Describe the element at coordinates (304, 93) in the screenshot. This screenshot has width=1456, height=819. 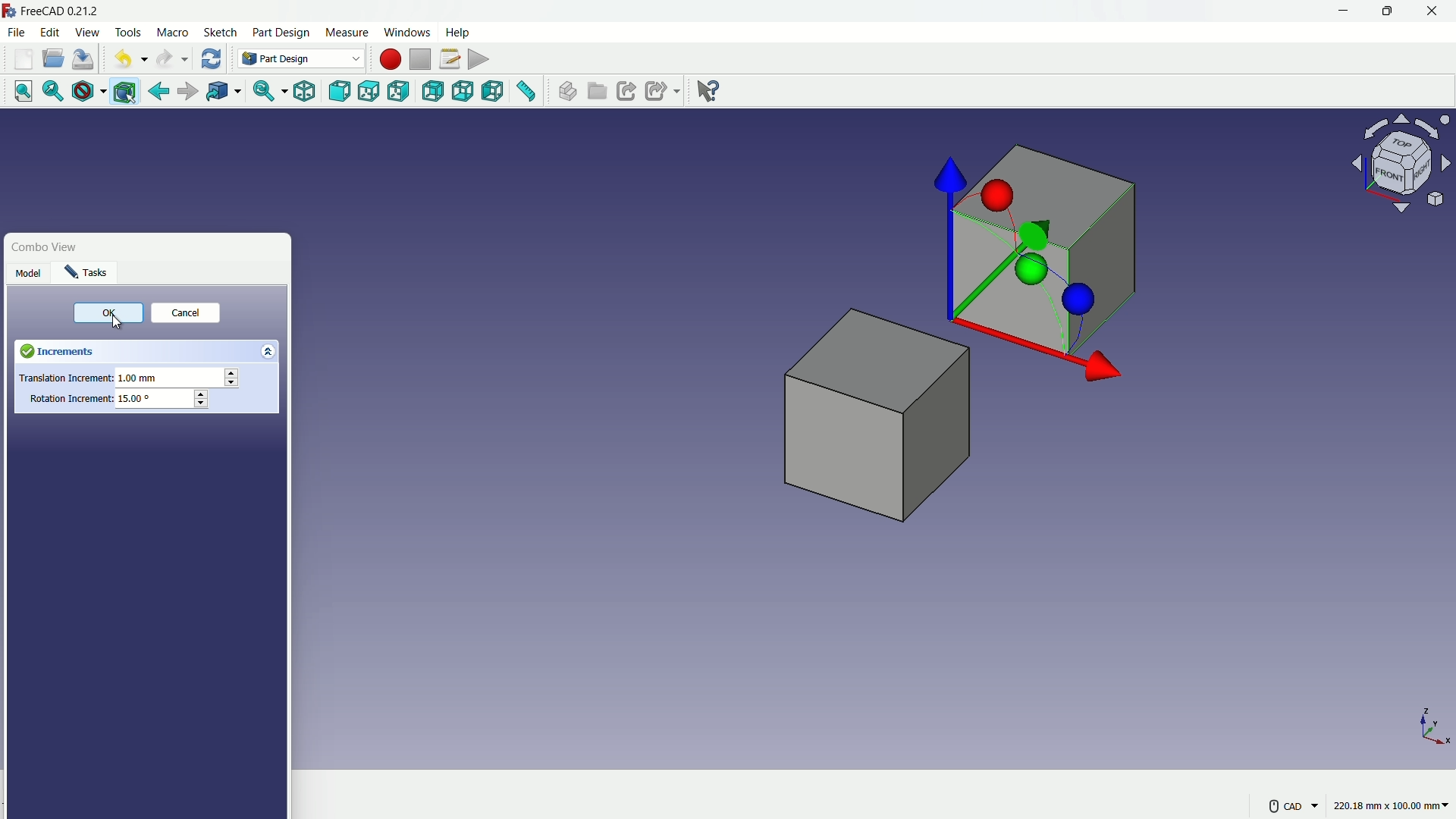
I see `isometric view` at that location.